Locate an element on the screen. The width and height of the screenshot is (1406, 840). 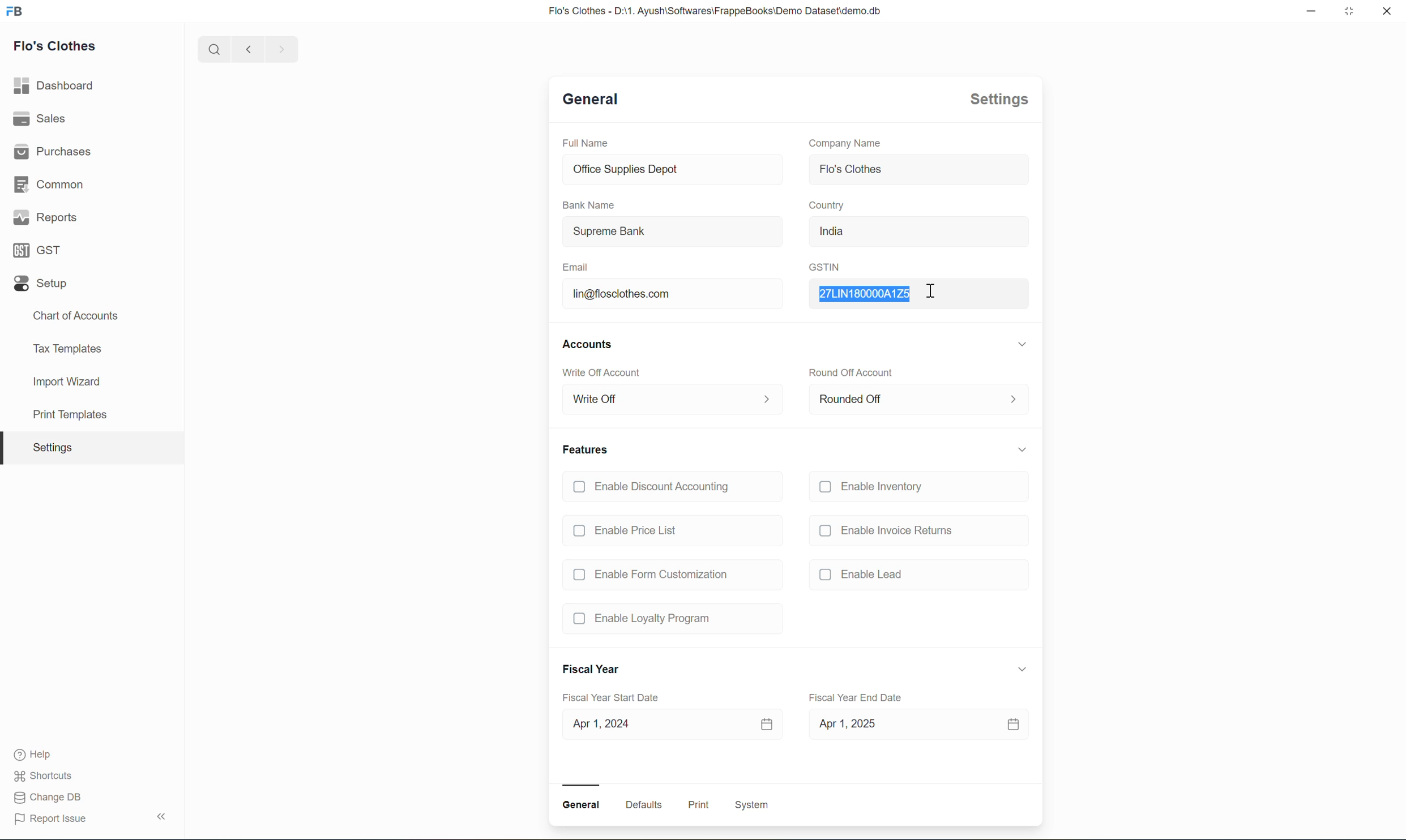
Print is located at coordinates (699, 804).